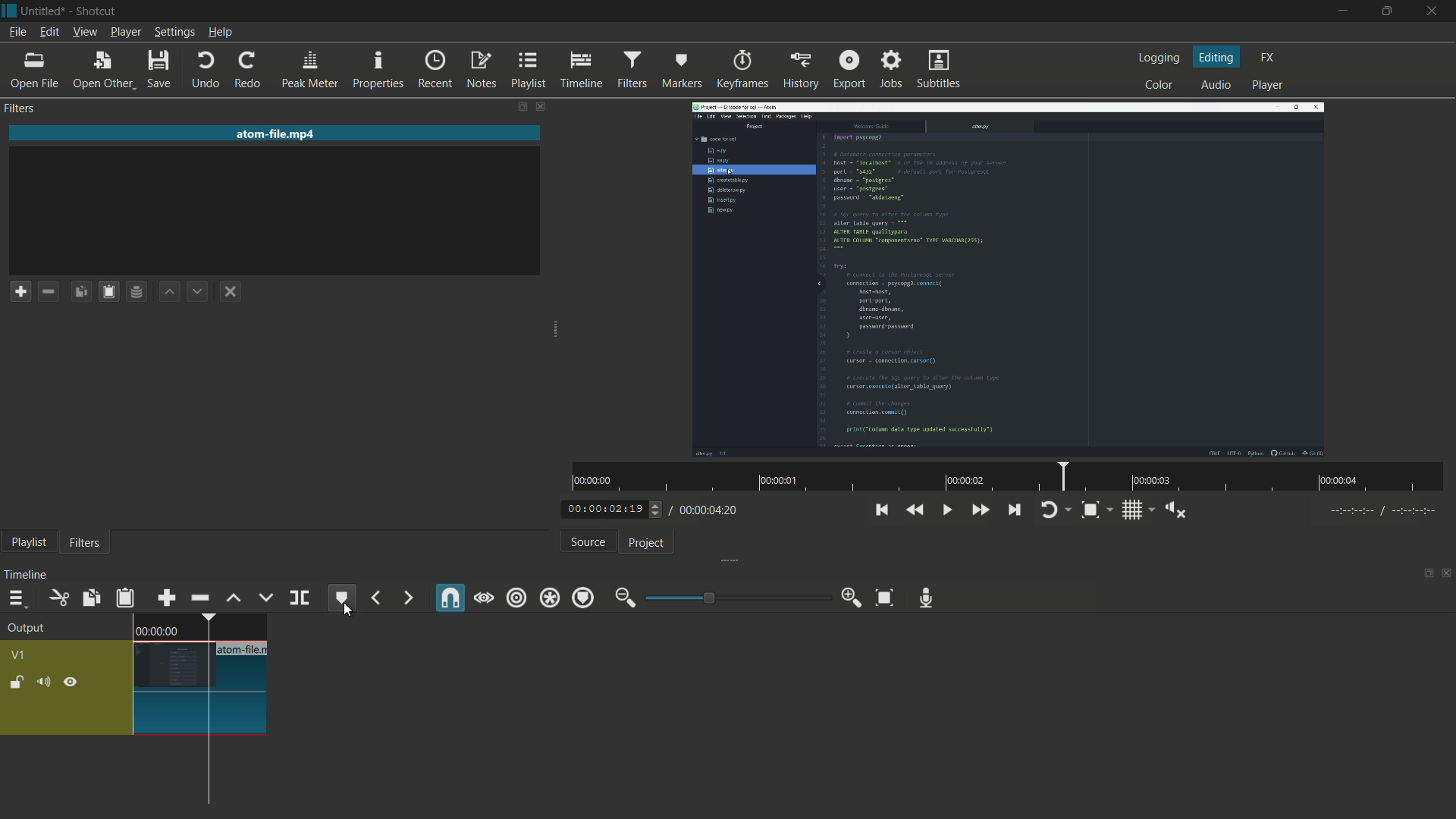  What do you see at coordinates (80, 291) in the screenshot?
I see `paste filters` at bounding box center [80, 291].